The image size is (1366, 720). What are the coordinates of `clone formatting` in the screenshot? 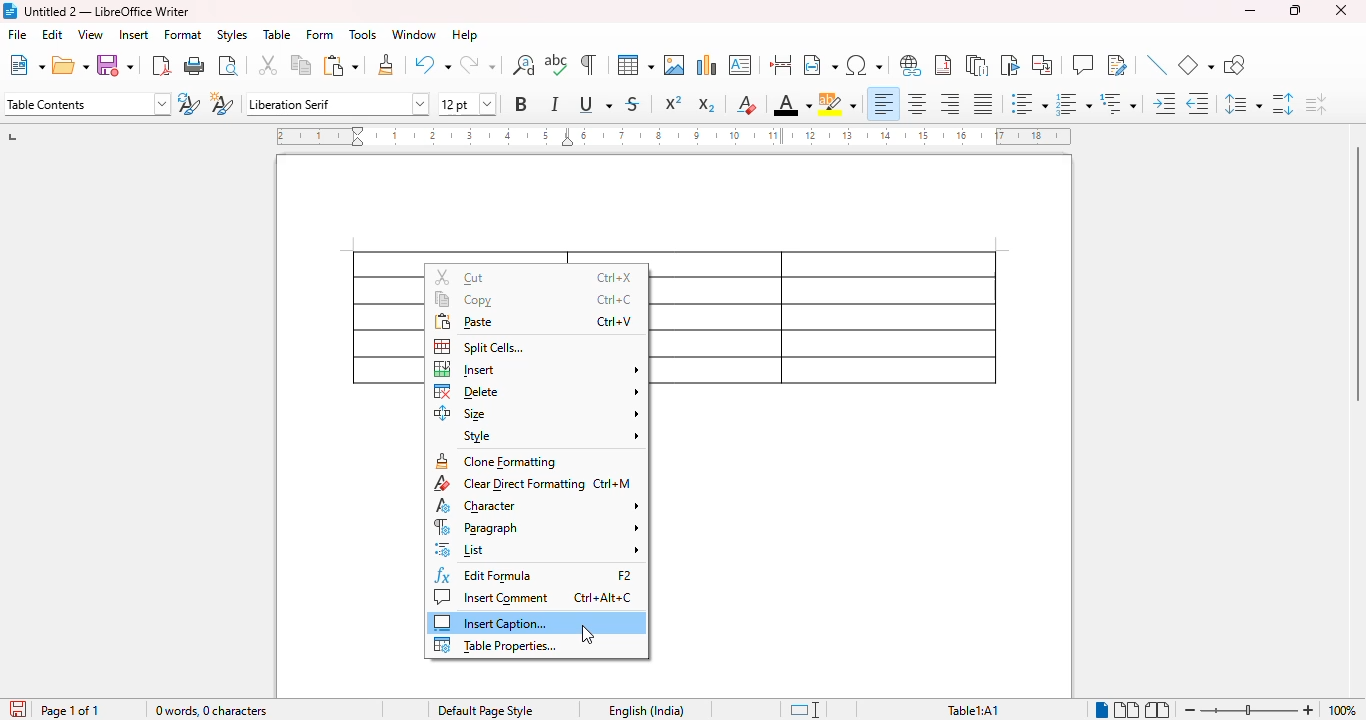 It's located at (387, 64).